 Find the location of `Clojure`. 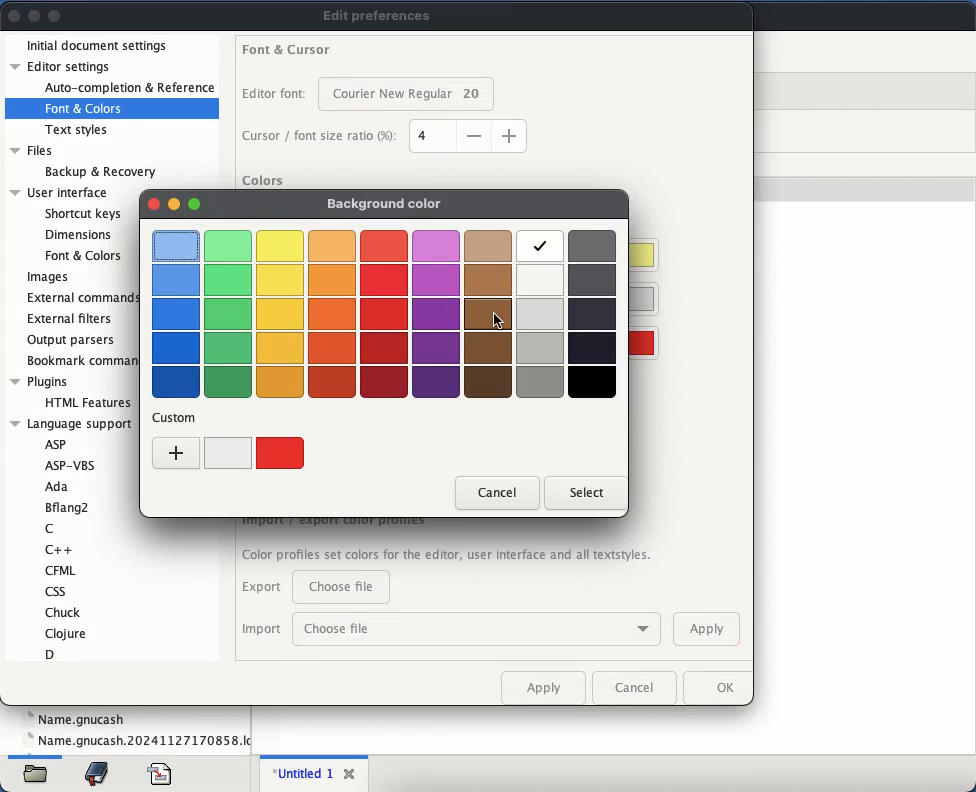

Clojure is located at coordinates (65, 634).